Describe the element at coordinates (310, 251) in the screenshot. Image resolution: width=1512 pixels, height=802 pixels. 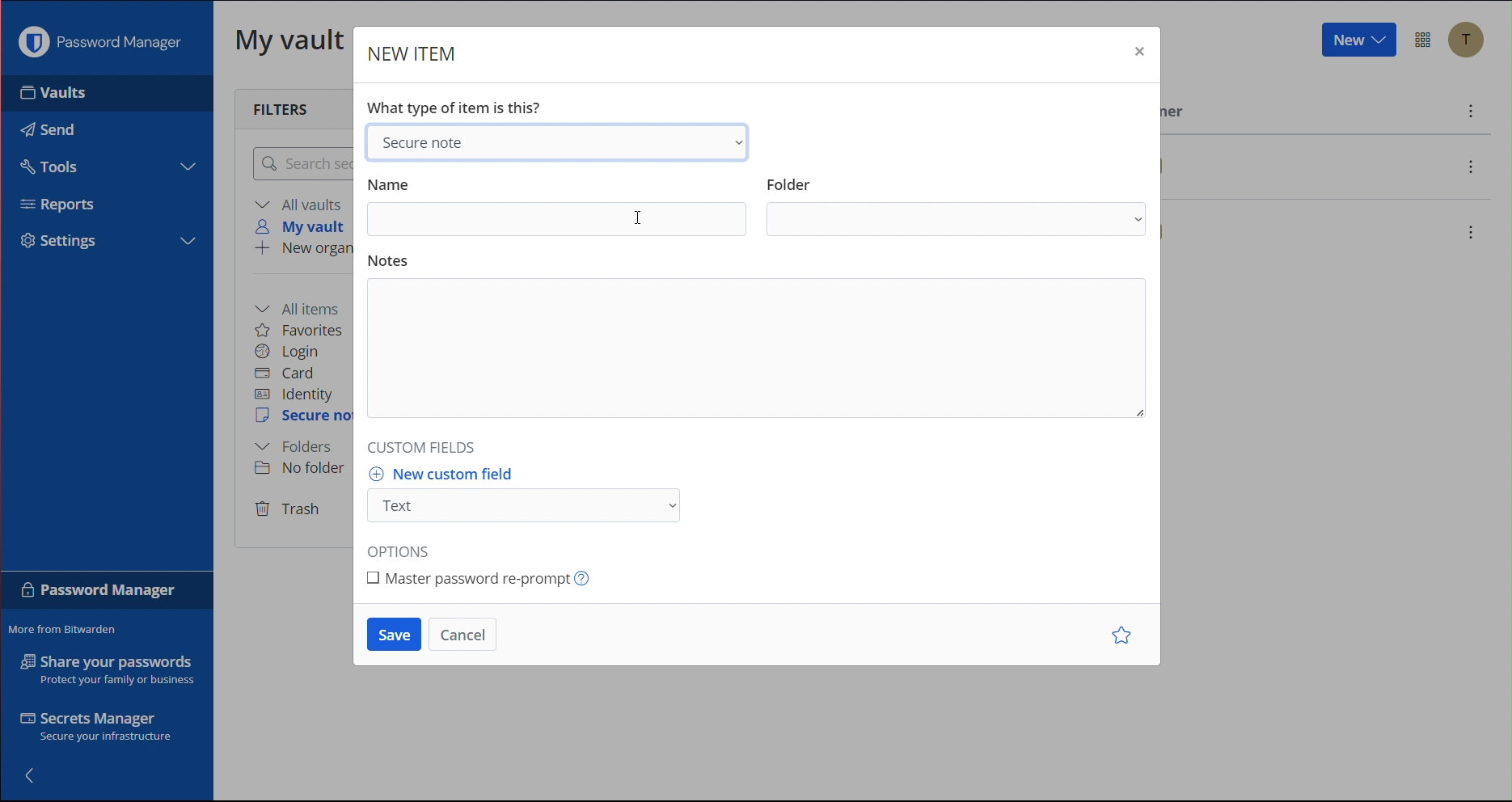
I see `New organization` at that location.